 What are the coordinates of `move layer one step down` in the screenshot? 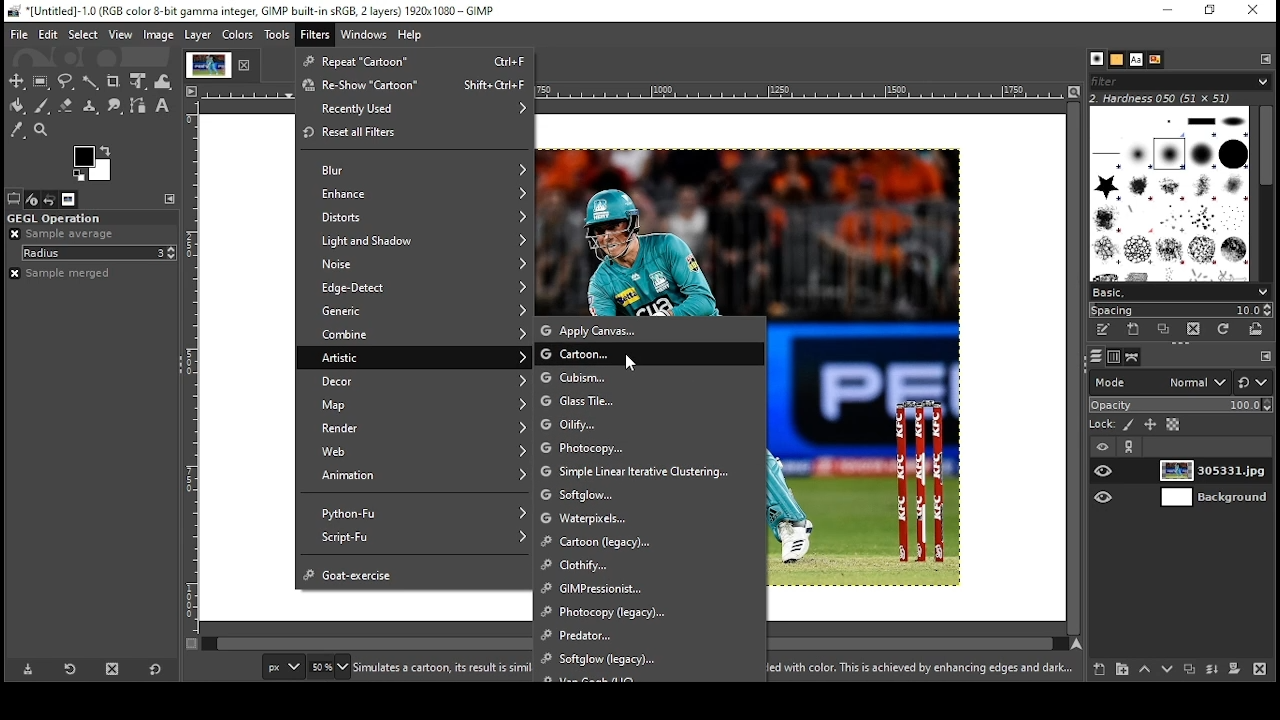 It's located at (1168, 670).